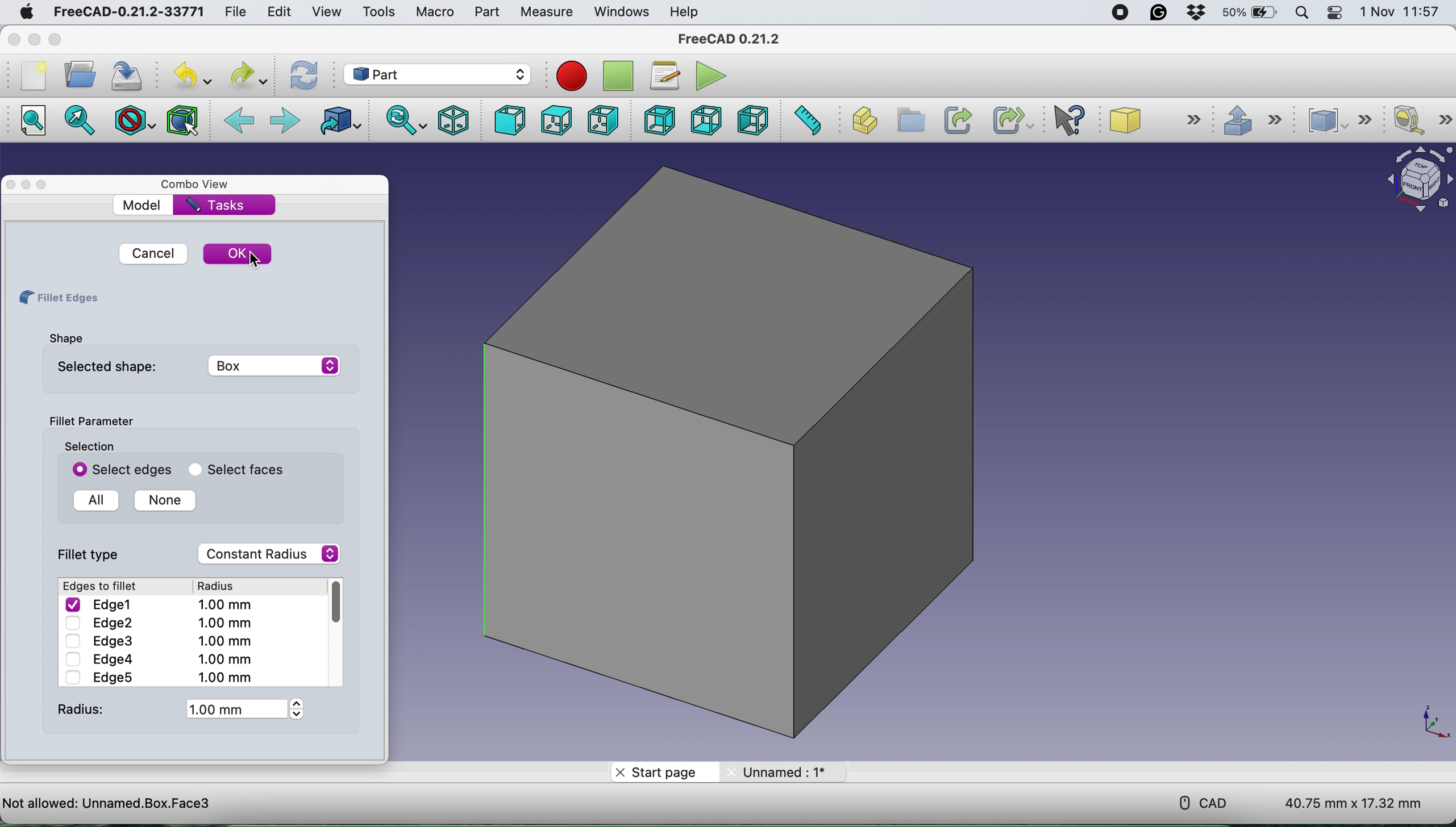 The image size is (1456, 827). Describe the element at coordinates (862, 120) in the screenshot. I see `create part` at that location.